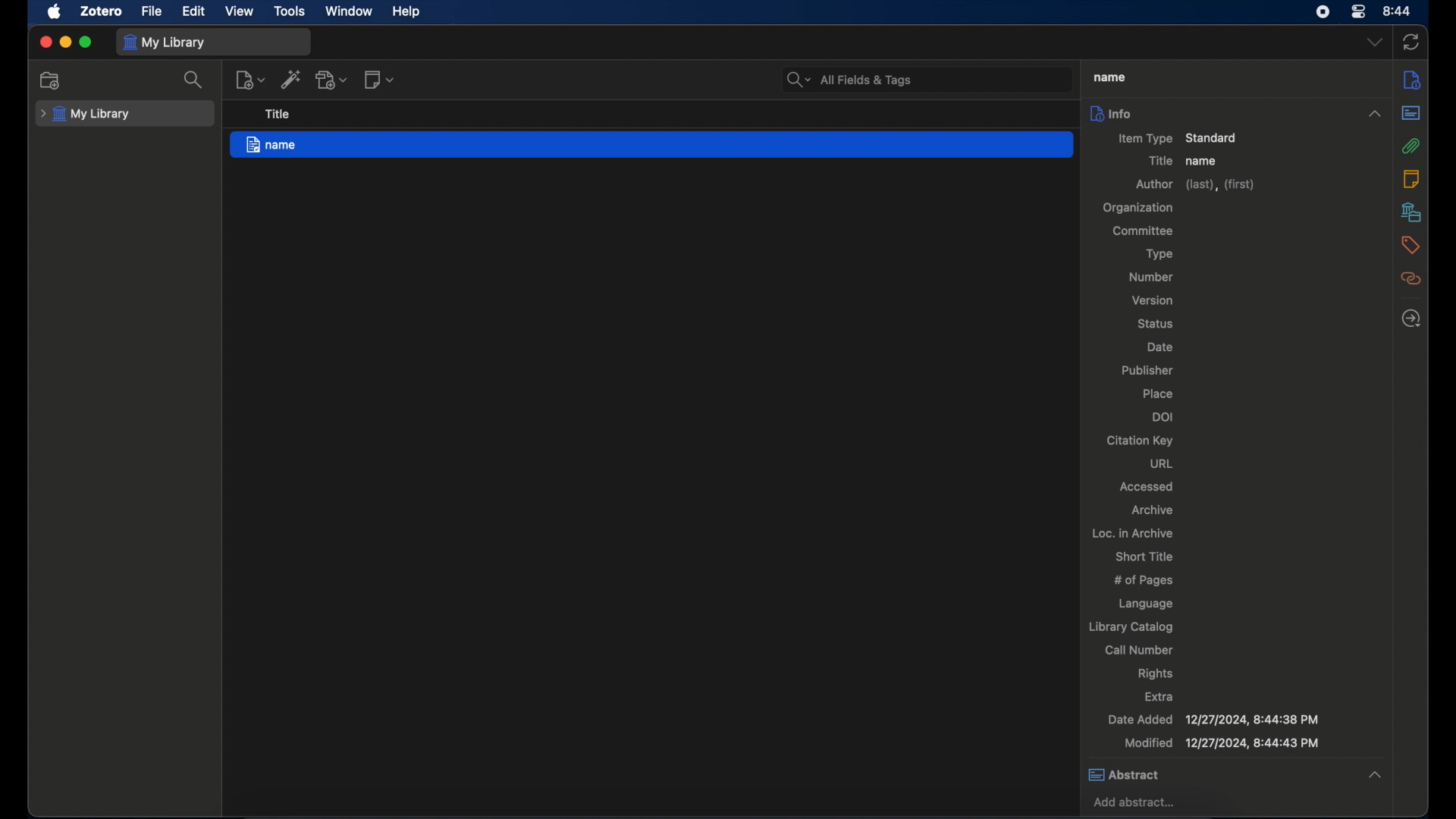 This screenshot has height=819, width=1456. I want to click on no of pages, so click(1146, 581).